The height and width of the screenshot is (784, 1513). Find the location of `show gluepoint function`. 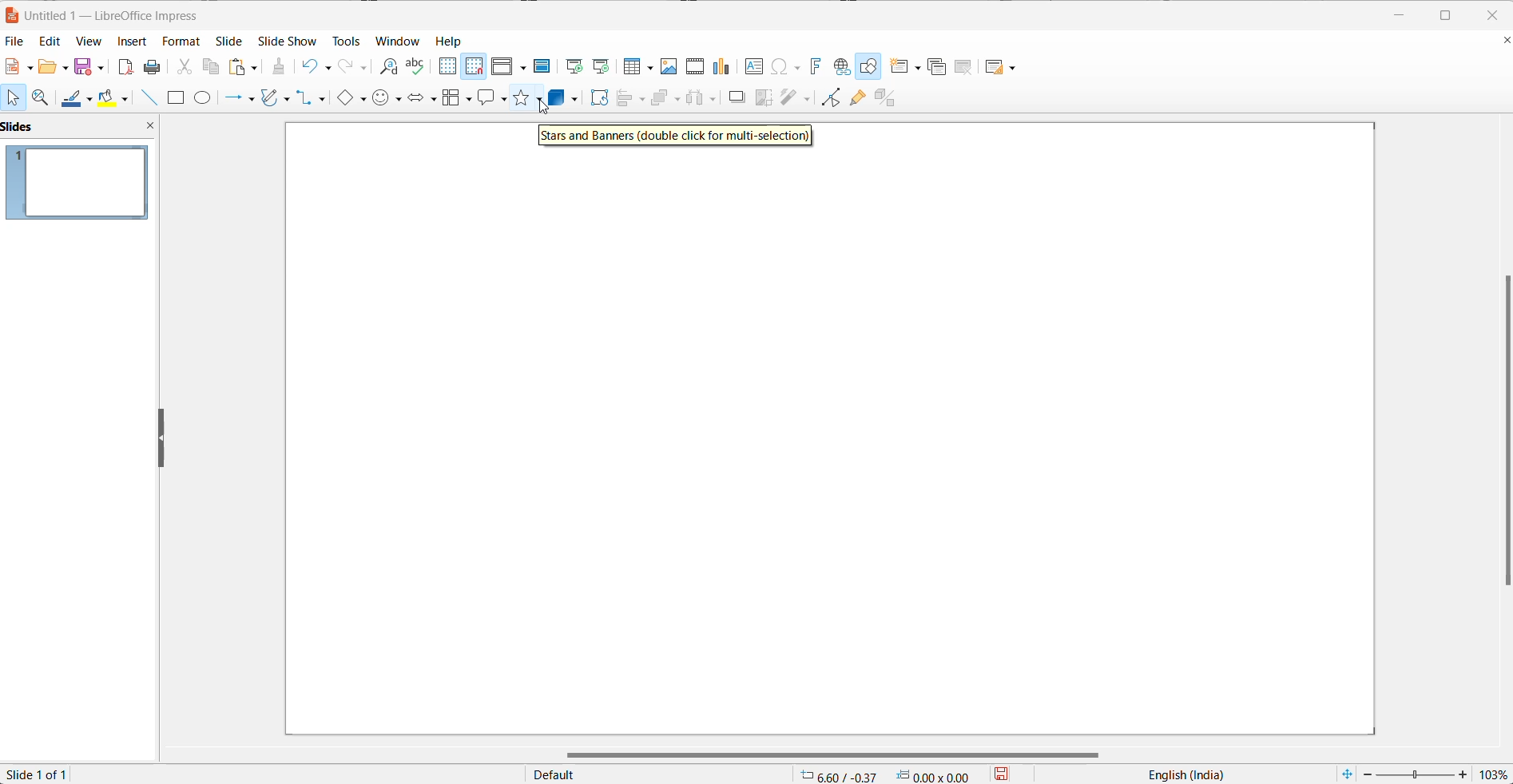

show gluepoint function is located at coordinates (857, 98).